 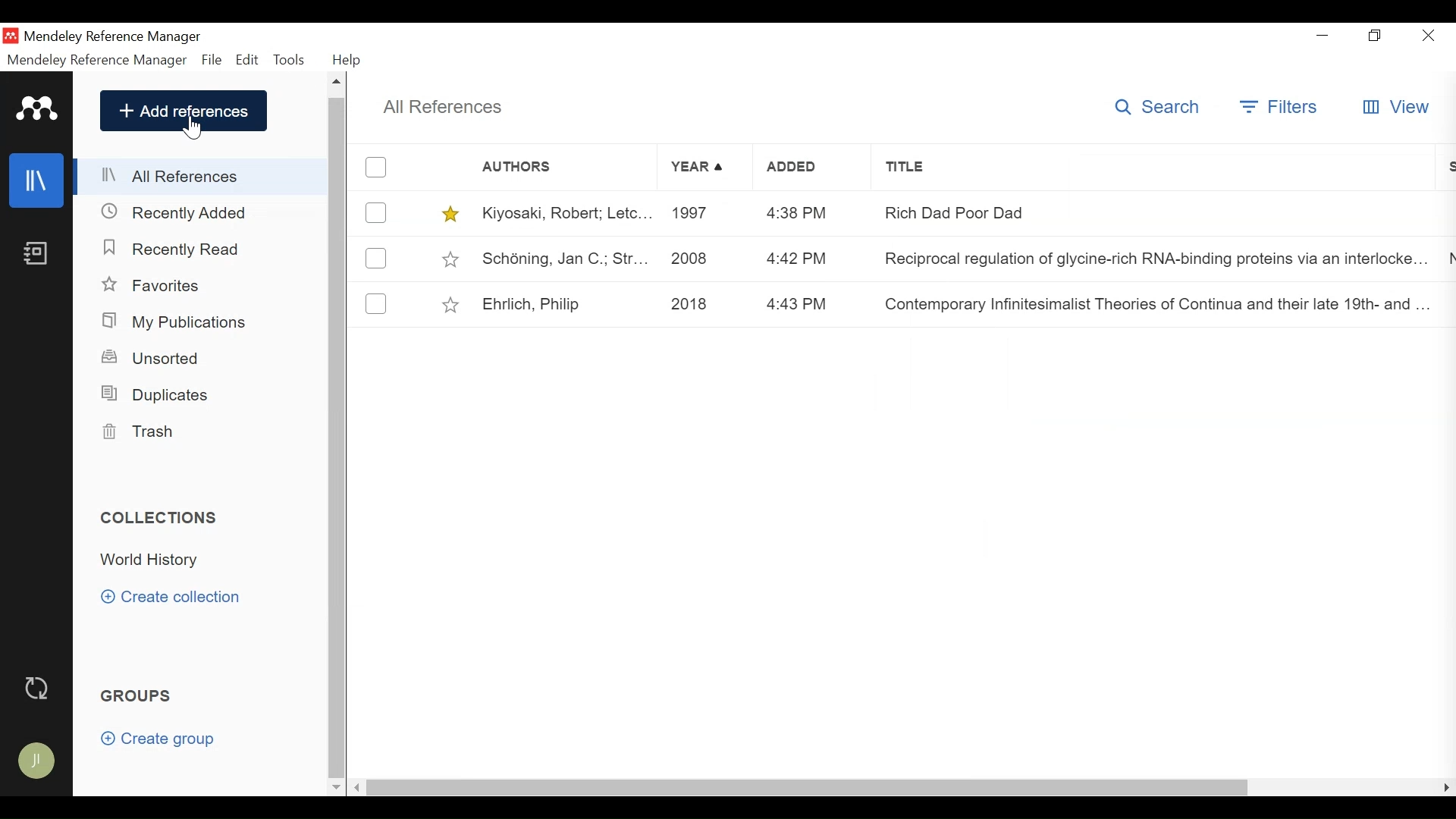 I want to click on Scroll up, so click(x=338, y=83).